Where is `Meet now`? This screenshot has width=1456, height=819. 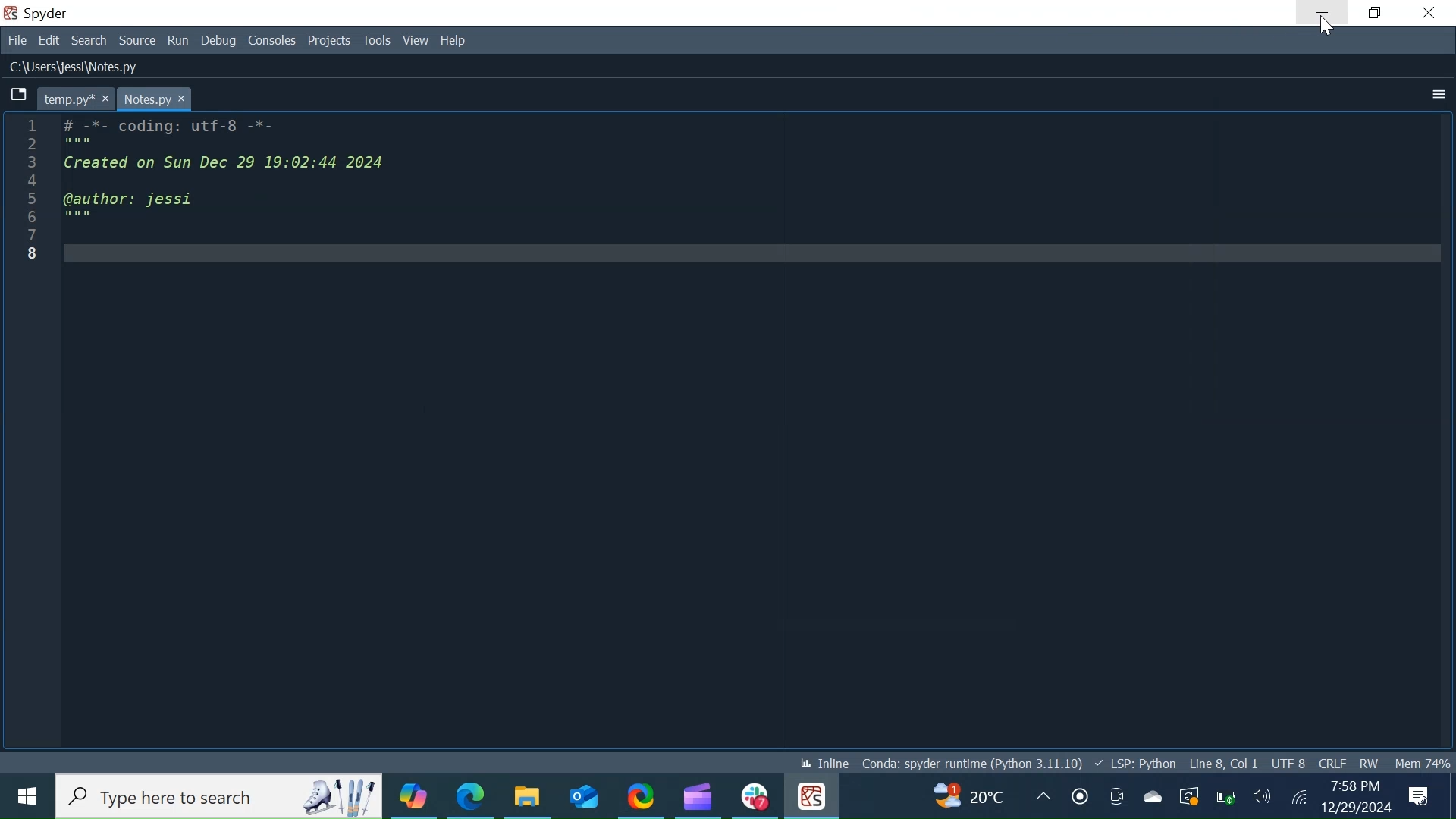 Meet now is located at coordinates (1114, 795).